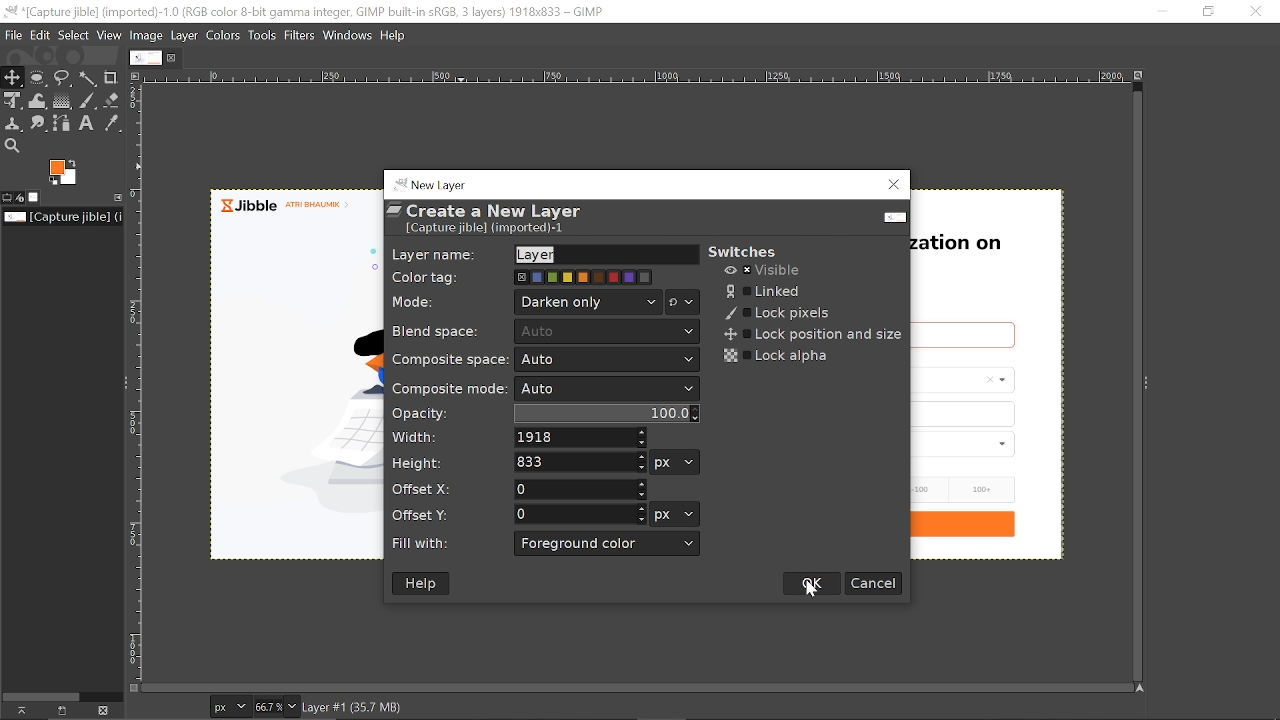 This screenshot has width=1280, height=720. What do you see at coordinates (608, 389) in the screenshot?
I see `Composite mode` at bounding box center [608, 389].